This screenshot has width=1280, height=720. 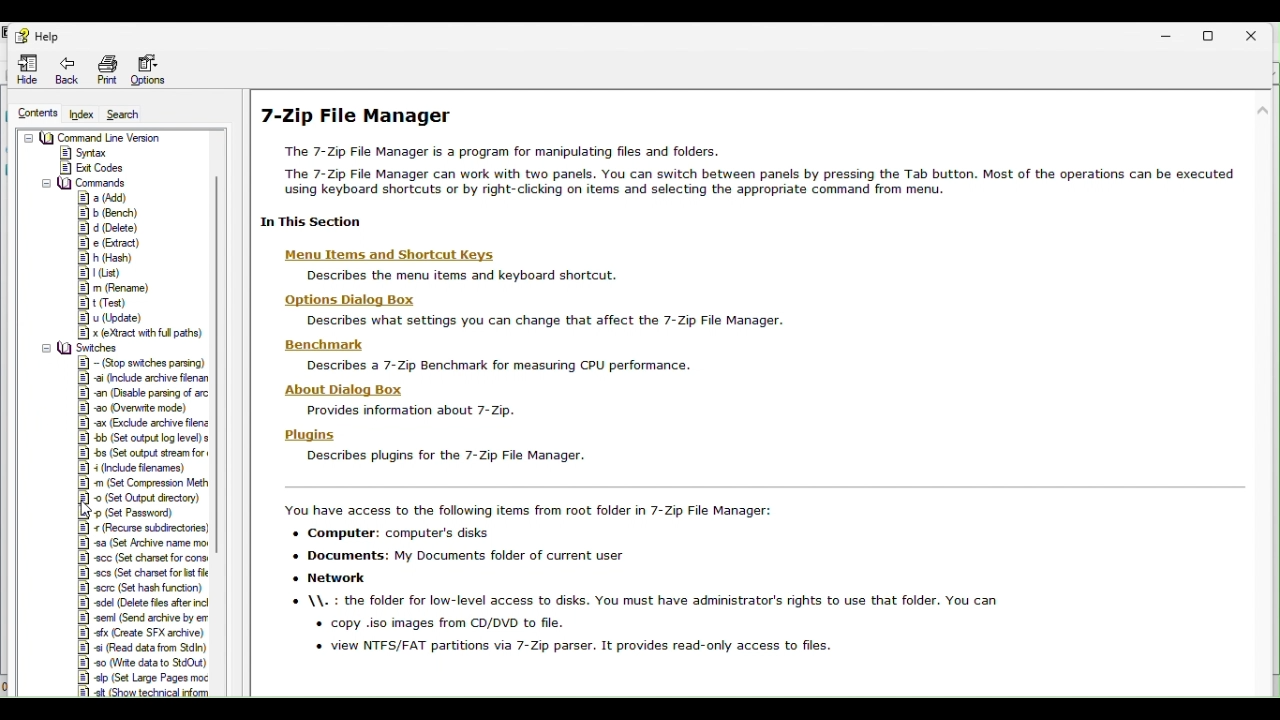 I want to click on scrollbar, so click(x=220, y=256).